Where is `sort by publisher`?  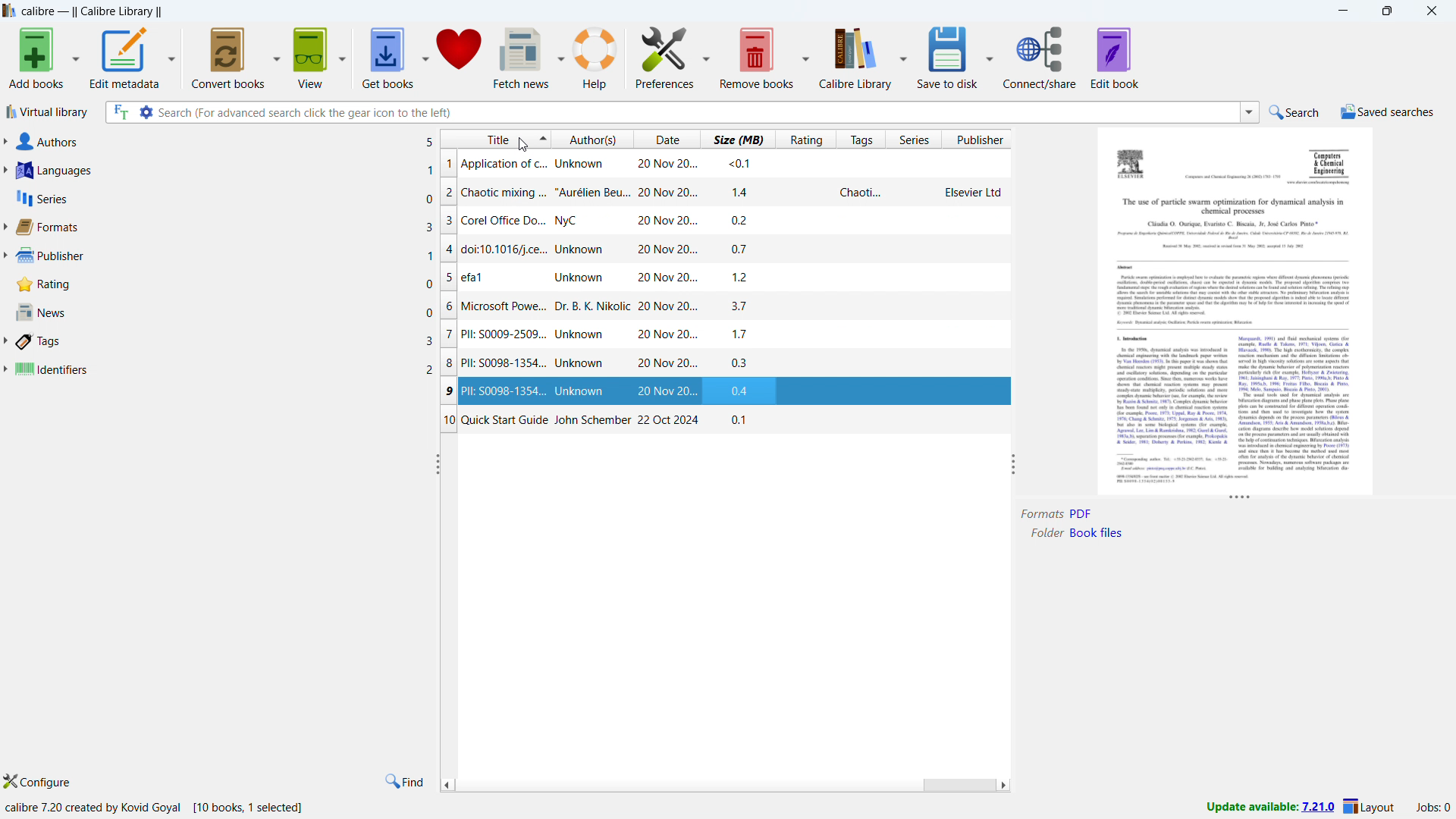 sort by publisher is located at coordinates (977, 140).